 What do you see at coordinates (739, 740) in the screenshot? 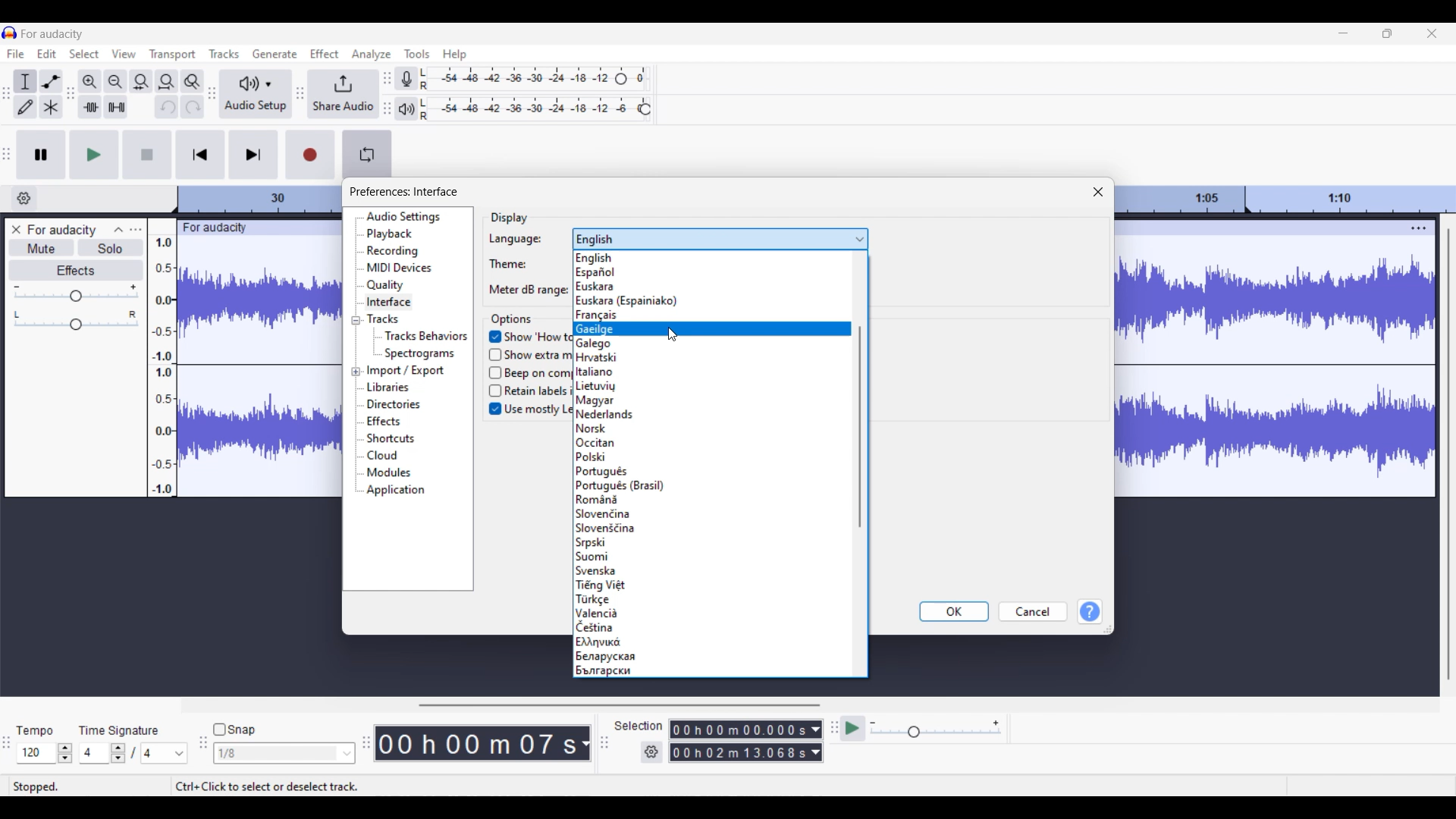
I see `0 0 h 0 0 m 0 0 0 0 0 s     0 0 h 02 m 1 3 0 6 8 s` at bounding box center [739, 740].